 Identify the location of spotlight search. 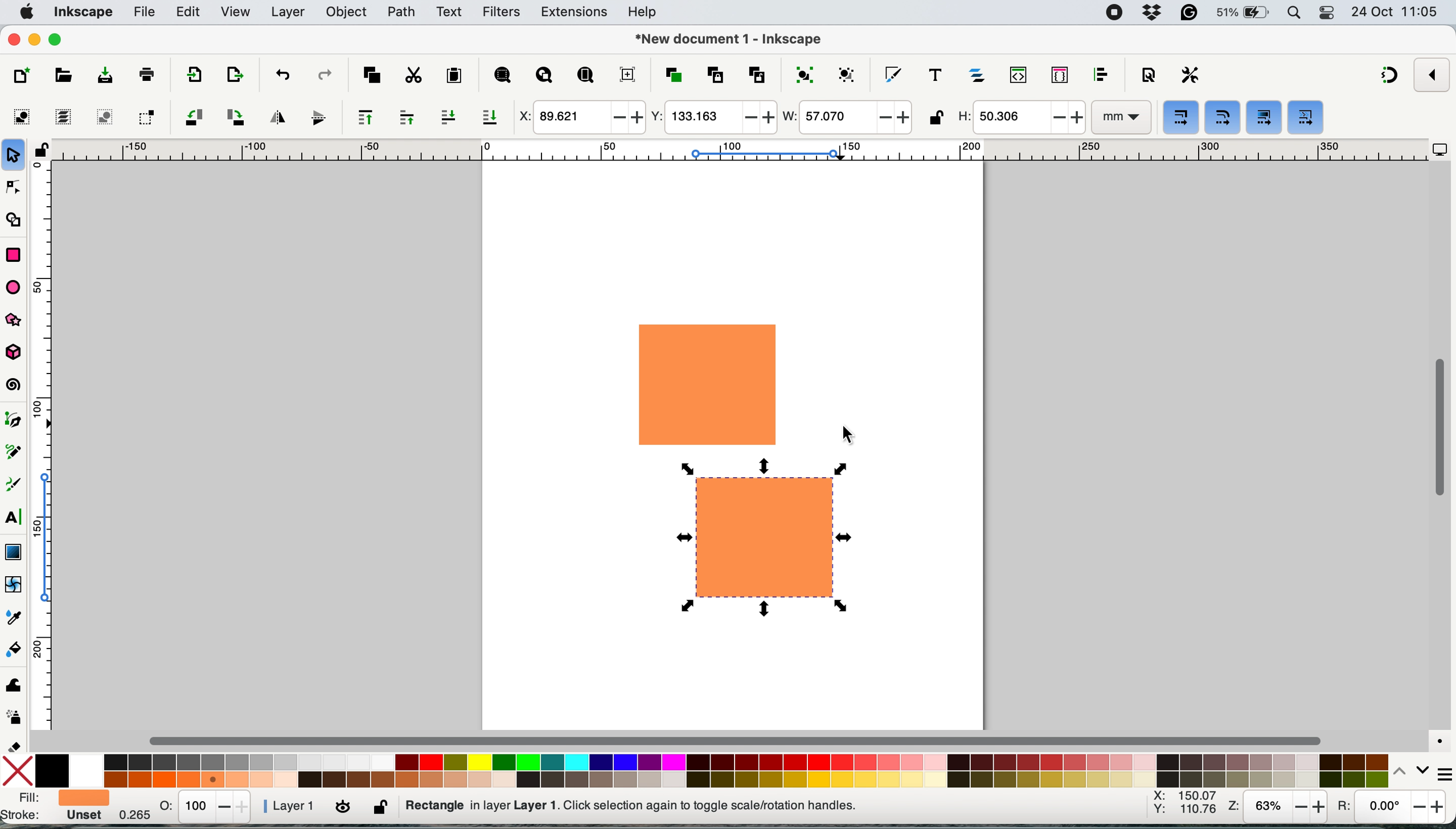
(1295, 14).